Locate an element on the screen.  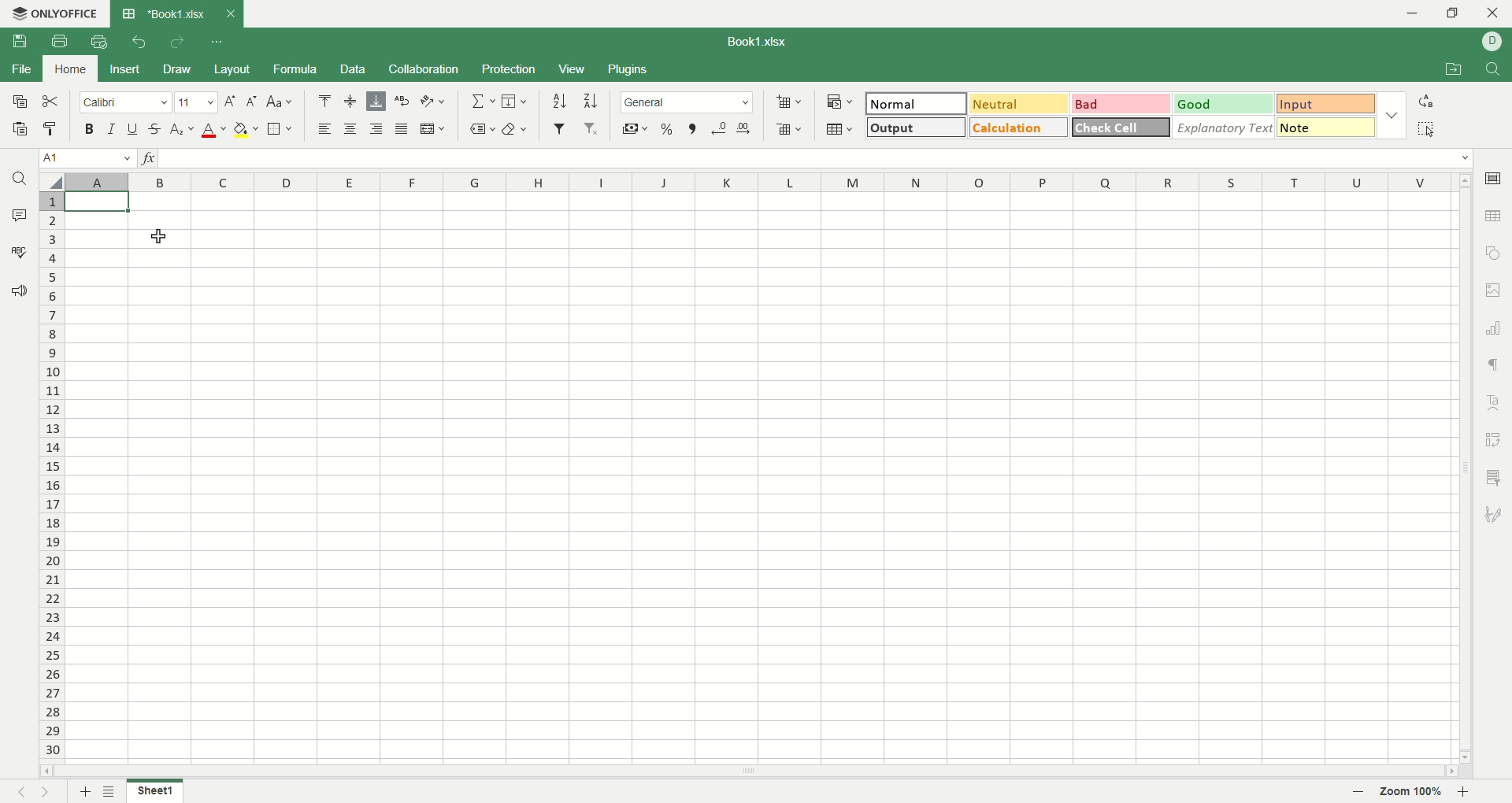
vertical scroll bar is located at coordinates (1466, 470).